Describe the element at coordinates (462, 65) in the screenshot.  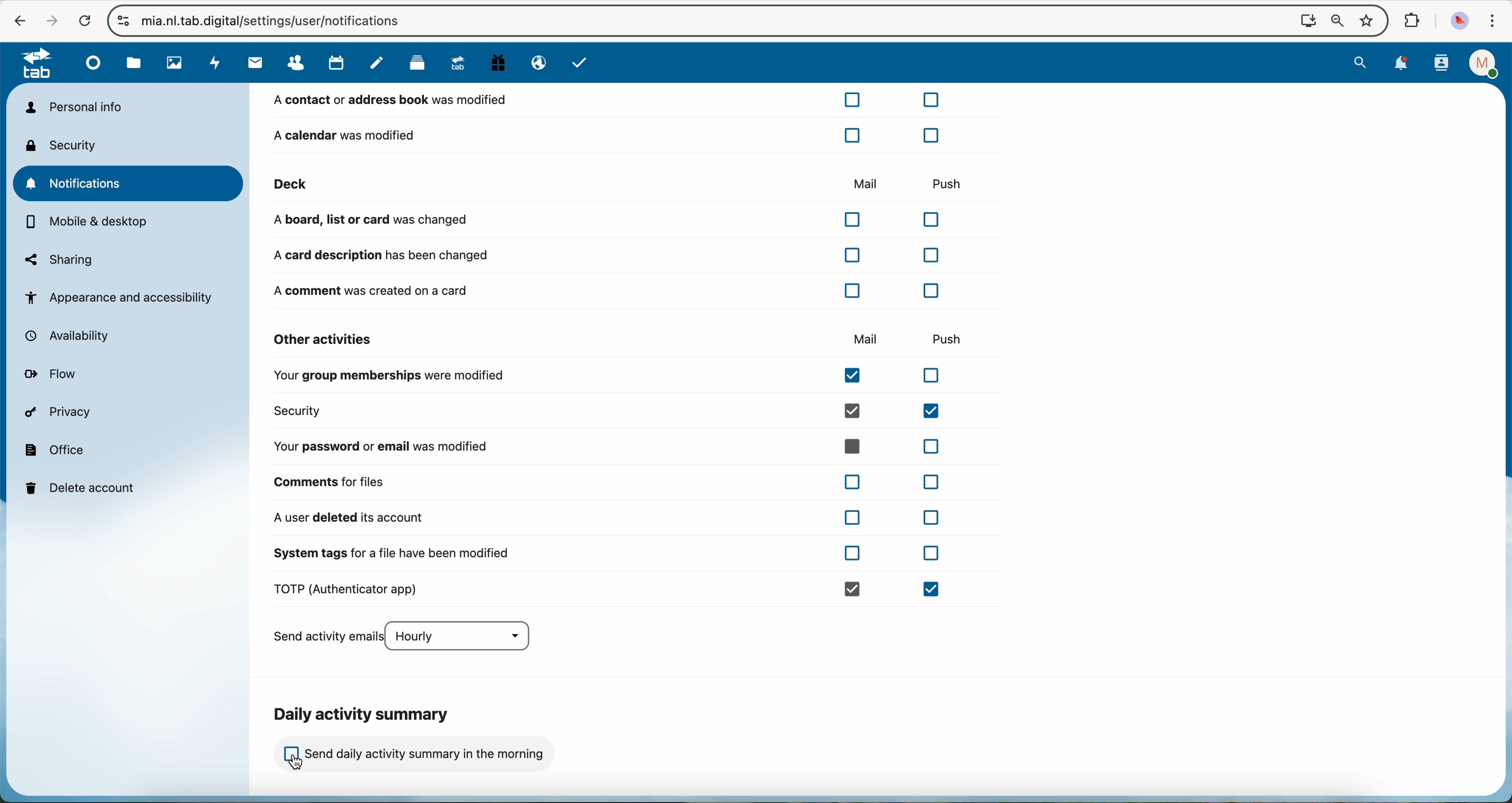
I see `upgrade` at that location.